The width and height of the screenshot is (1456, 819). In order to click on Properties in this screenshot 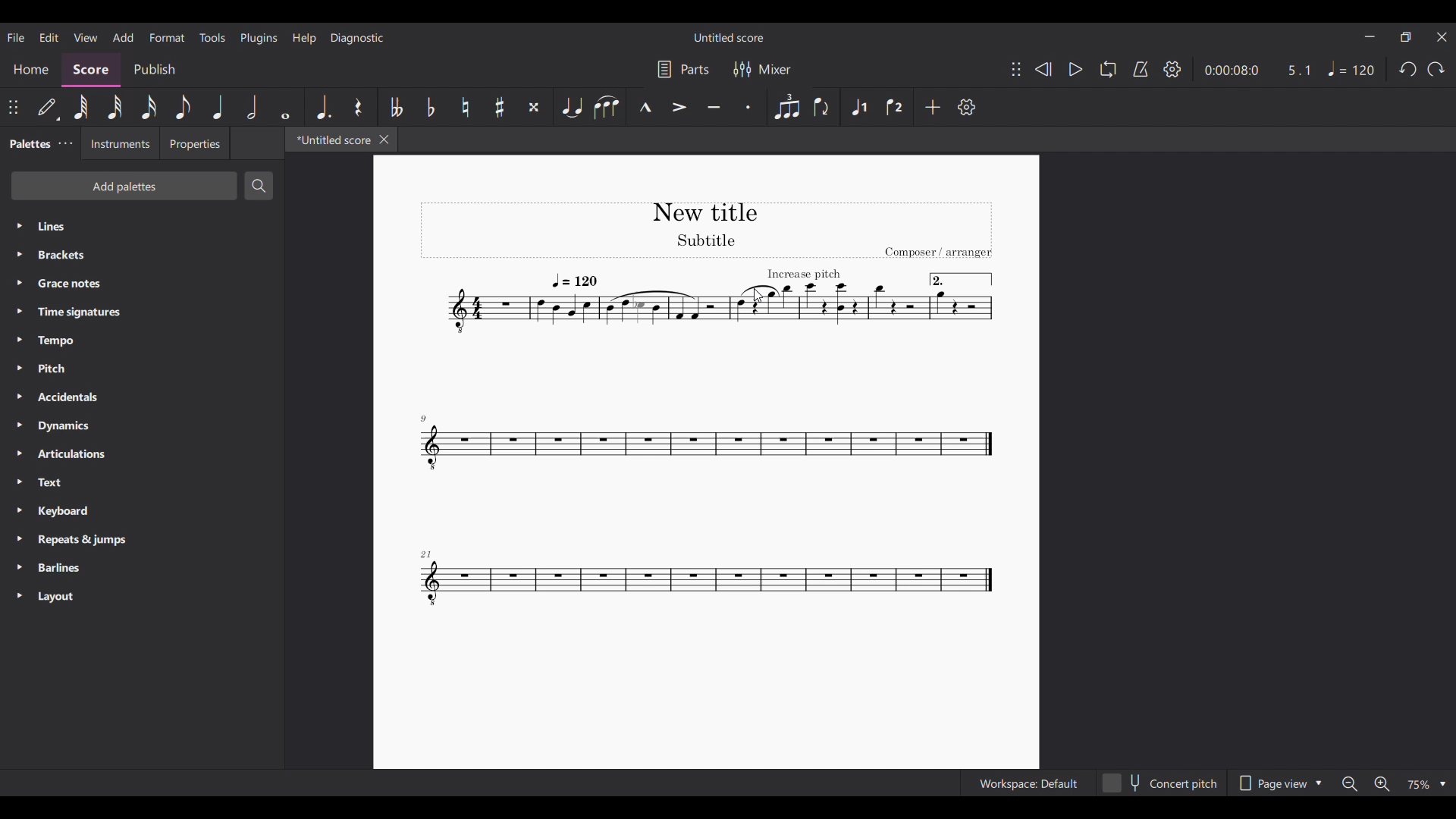, I will do `click(196, 143)`.